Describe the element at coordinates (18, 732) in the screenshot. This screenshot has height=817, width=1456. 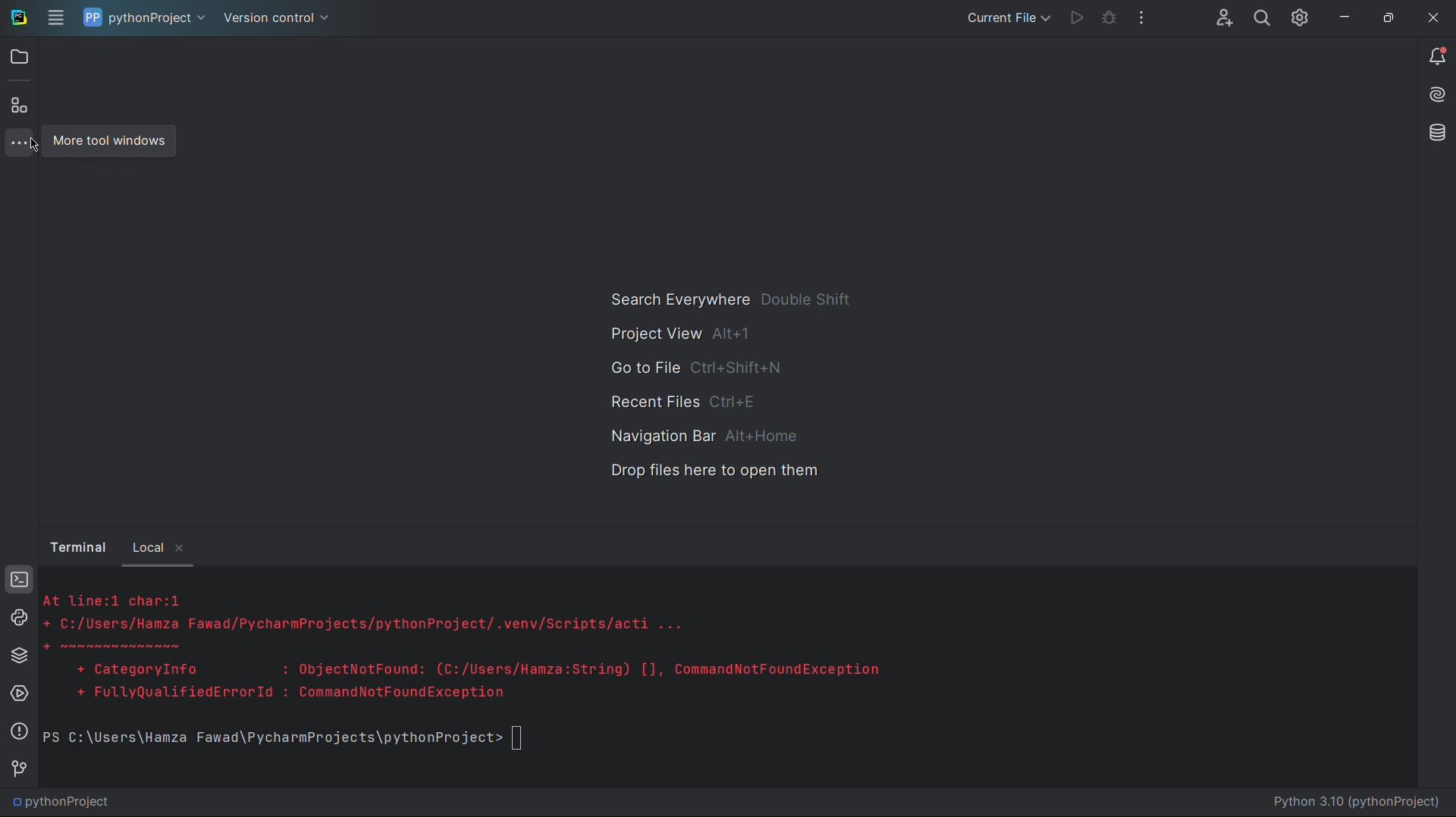
I see `Problems` at that location.